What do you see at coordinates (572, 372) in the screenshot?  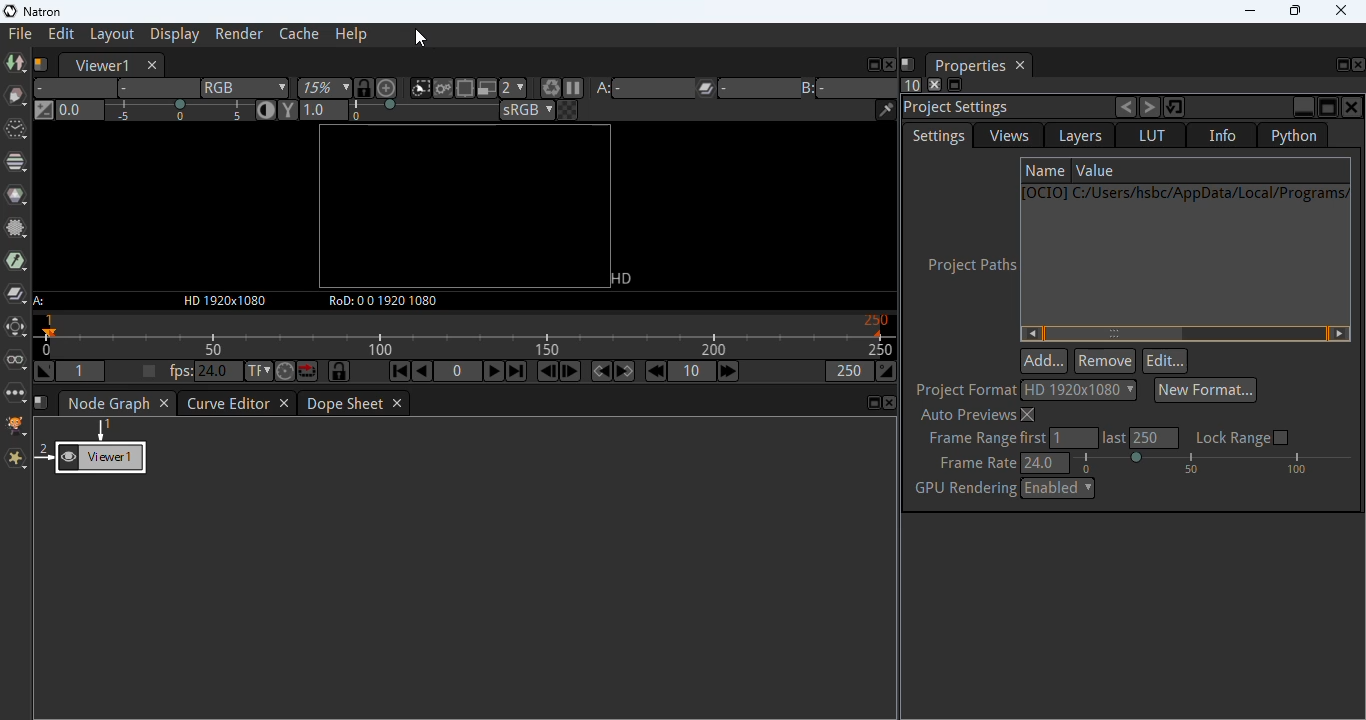 I see `next frame` at bounding box center [572, 372].